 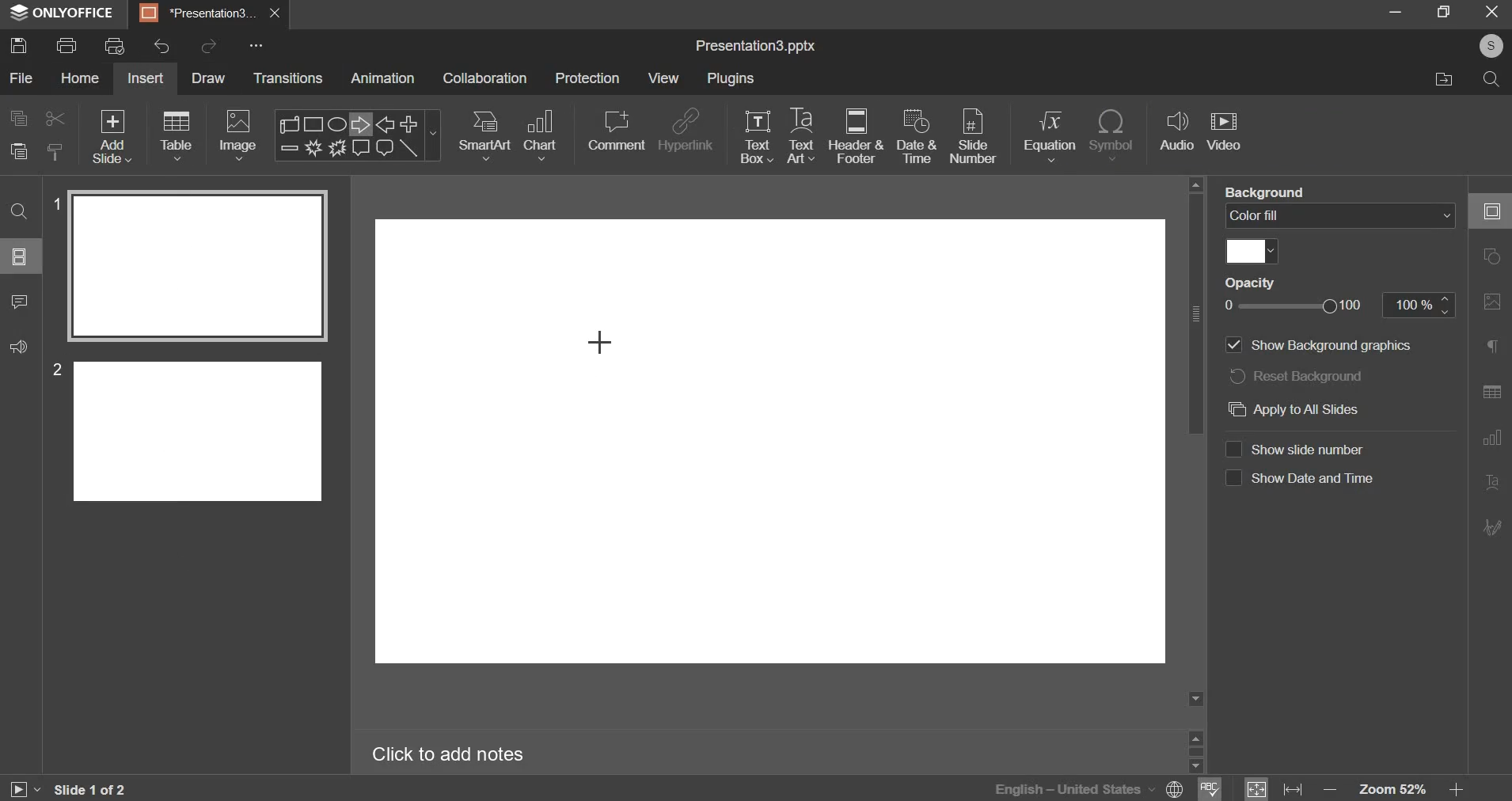 What do you see at coordinates (1300, 482) in the screenshot?
I see `Slide date and time` at bounding box center [1300, 482].